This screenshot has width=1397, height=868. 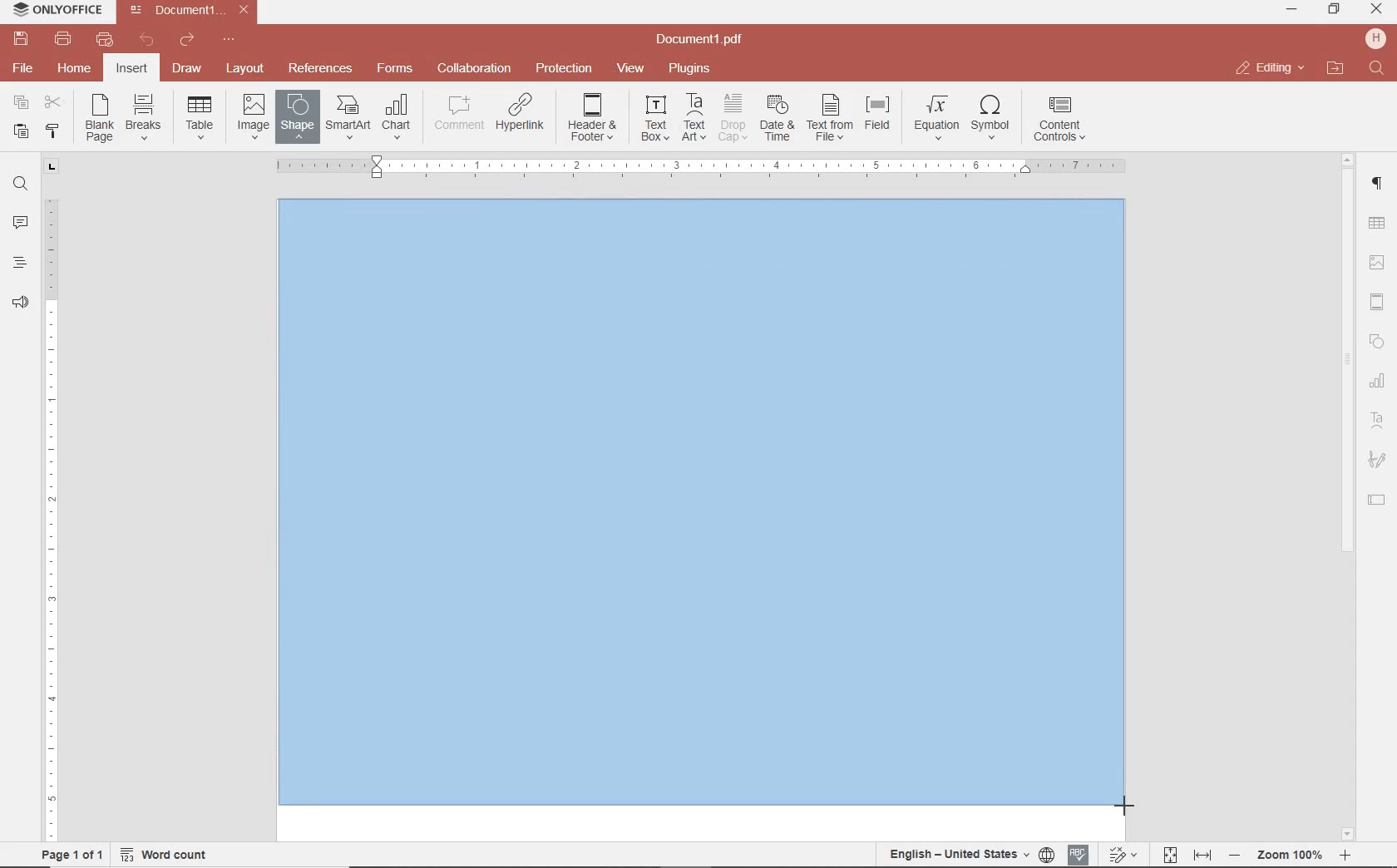 What do you see at coordinates (51, 130) in the screenshot?
I see `copy style` at bounding box center [51, 130].